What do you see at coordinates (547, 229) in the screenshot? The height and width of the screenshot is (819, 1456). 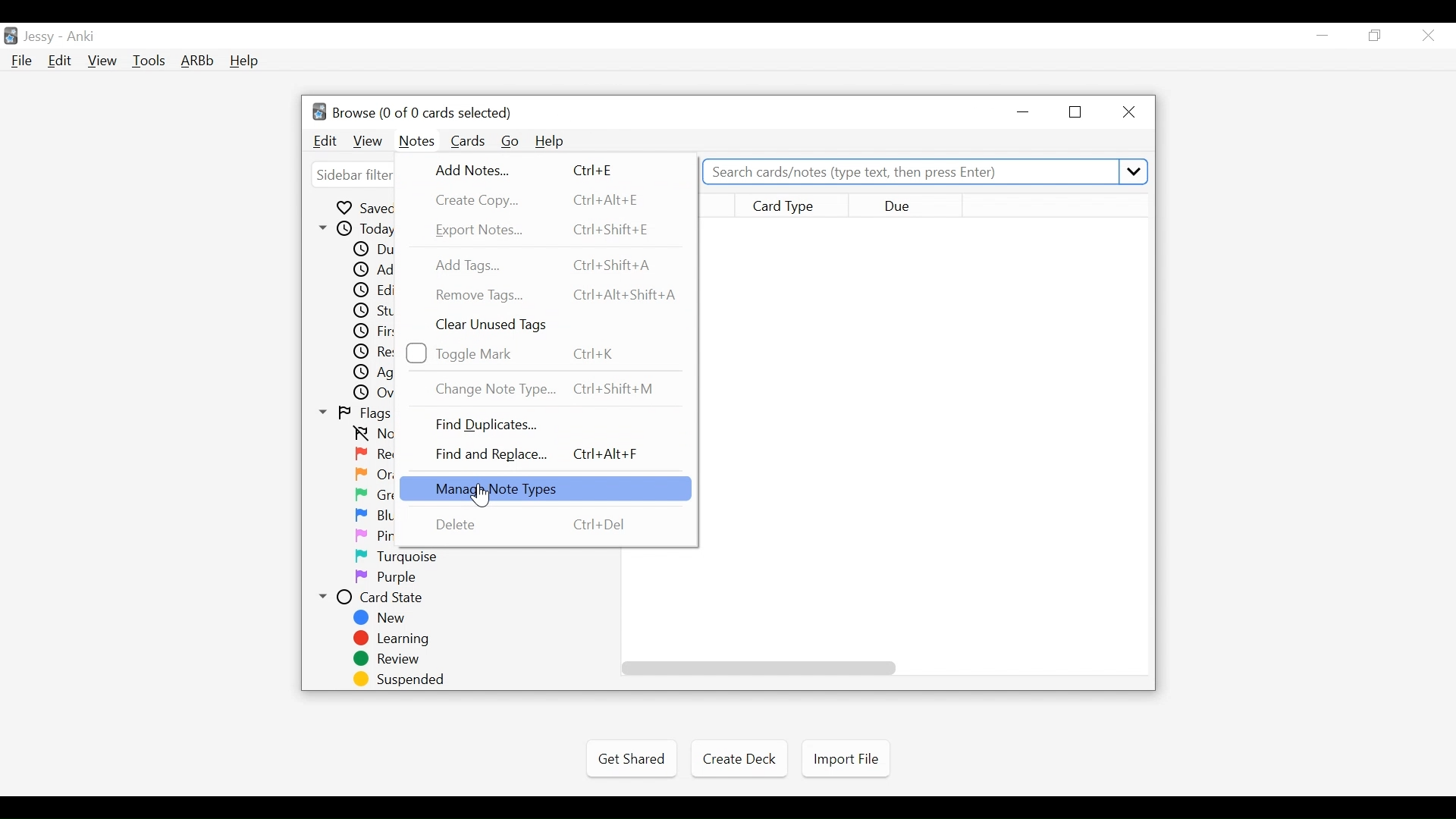 I see `Export Notes` at bounding box center [547, 229].